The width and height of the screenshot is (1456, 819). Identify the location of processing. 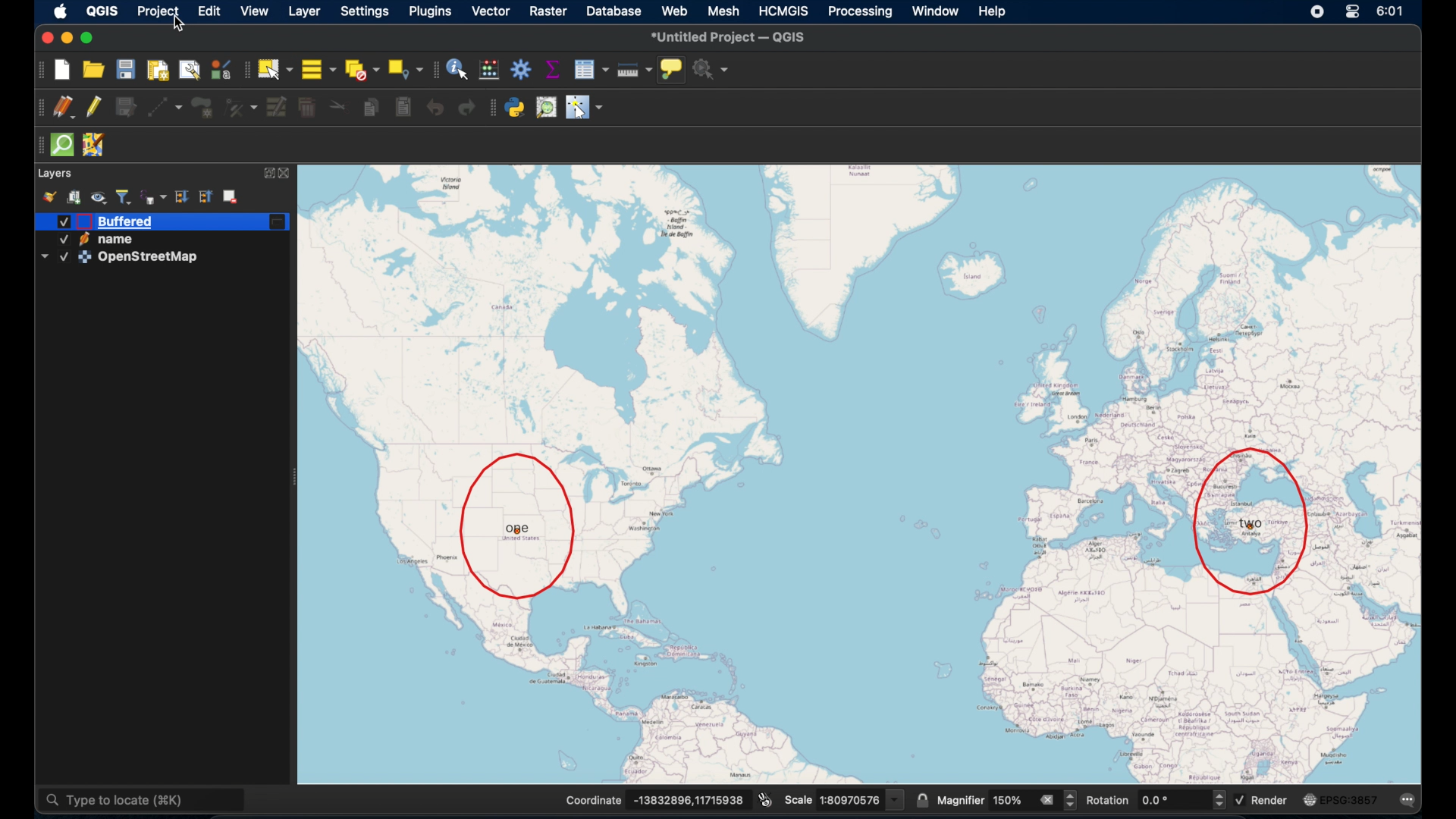
(862, 11).